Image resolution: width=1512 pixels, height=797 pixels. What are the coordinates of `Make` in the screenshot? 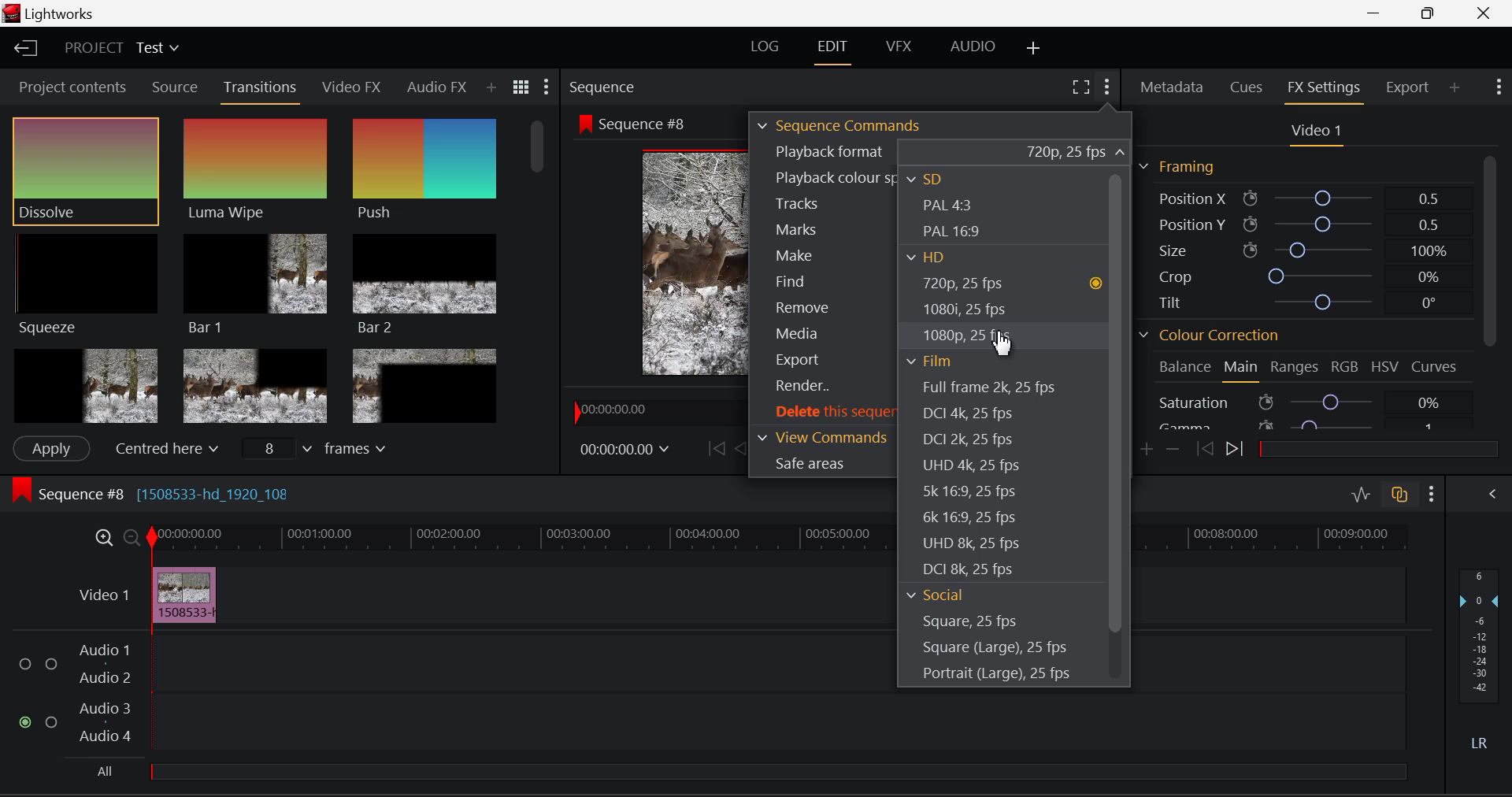 It's located at (821, 257).